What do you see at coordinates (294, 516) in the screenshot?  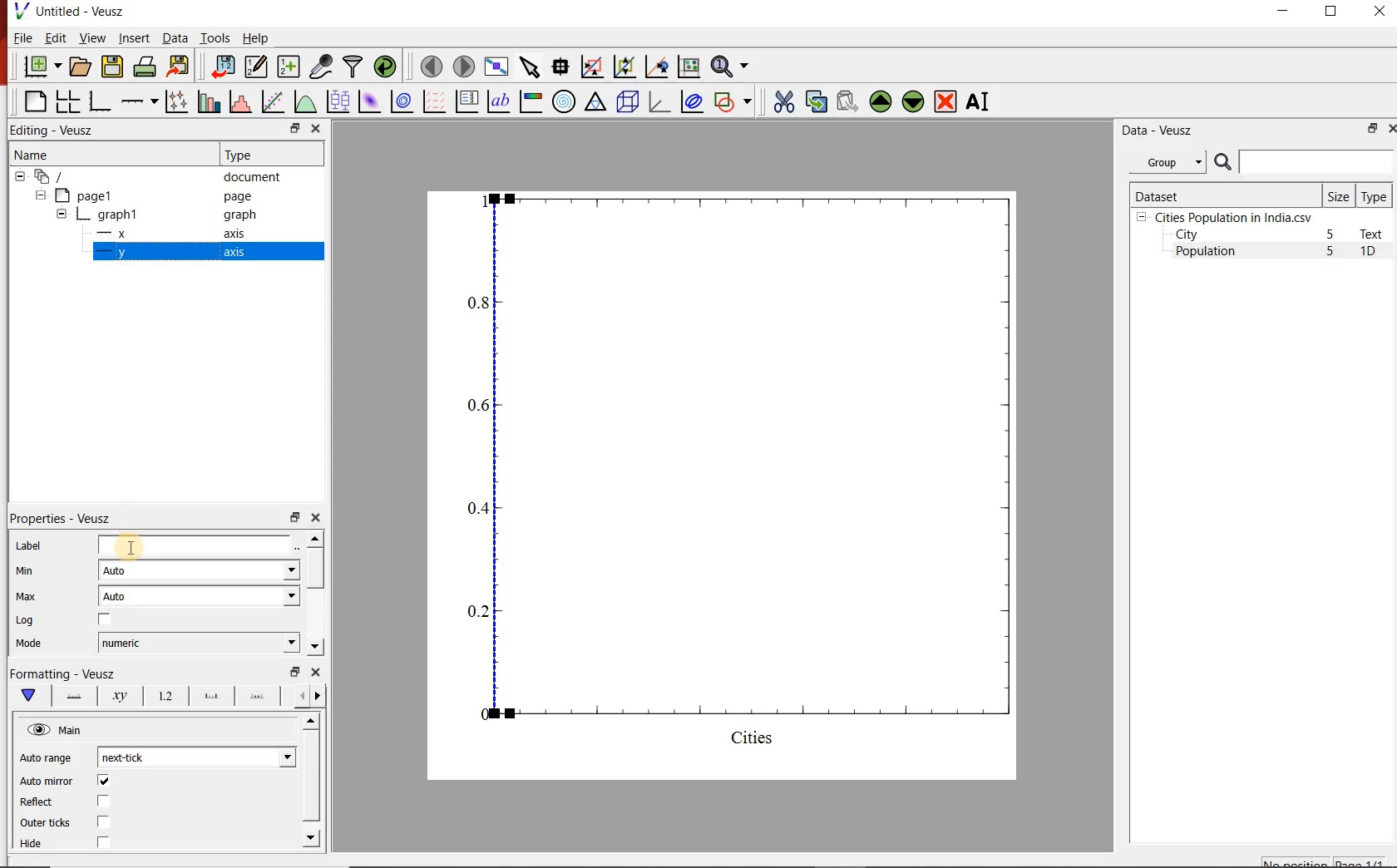 I see `restore` at bounding box center [294, 516].